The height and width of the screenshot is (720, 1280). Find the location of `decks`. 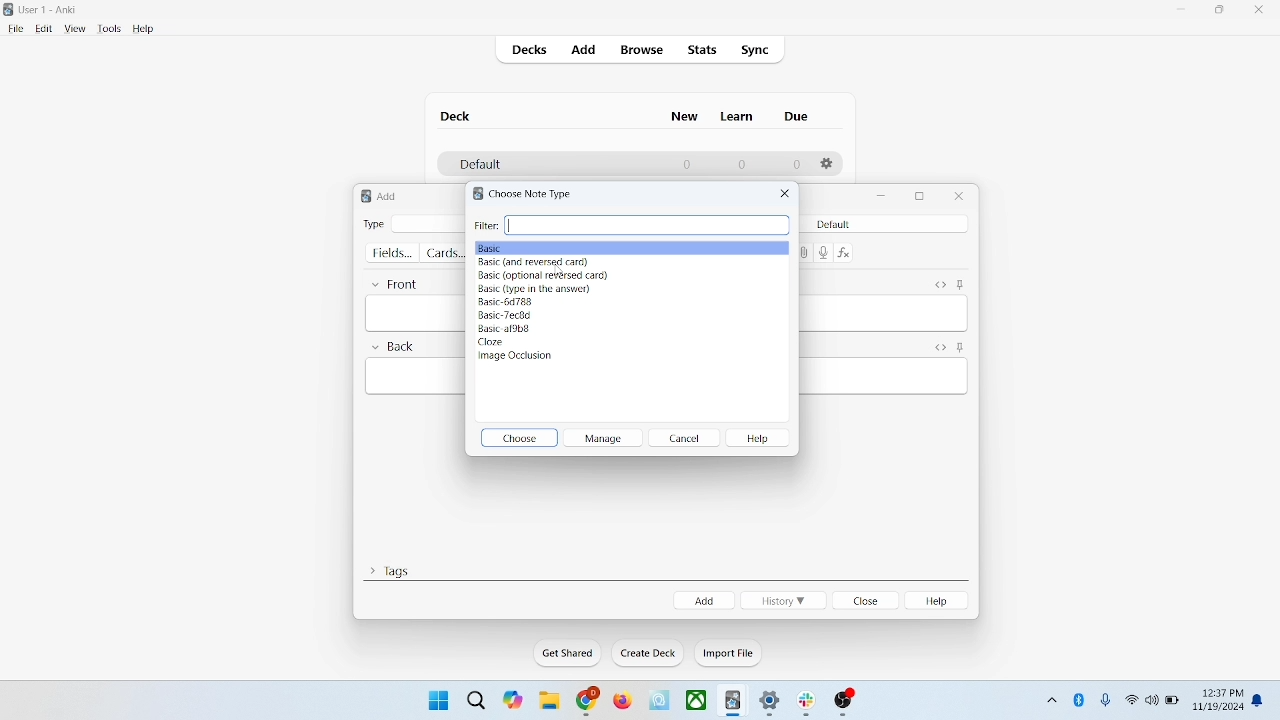

decks is located at coordinates (532, 52).